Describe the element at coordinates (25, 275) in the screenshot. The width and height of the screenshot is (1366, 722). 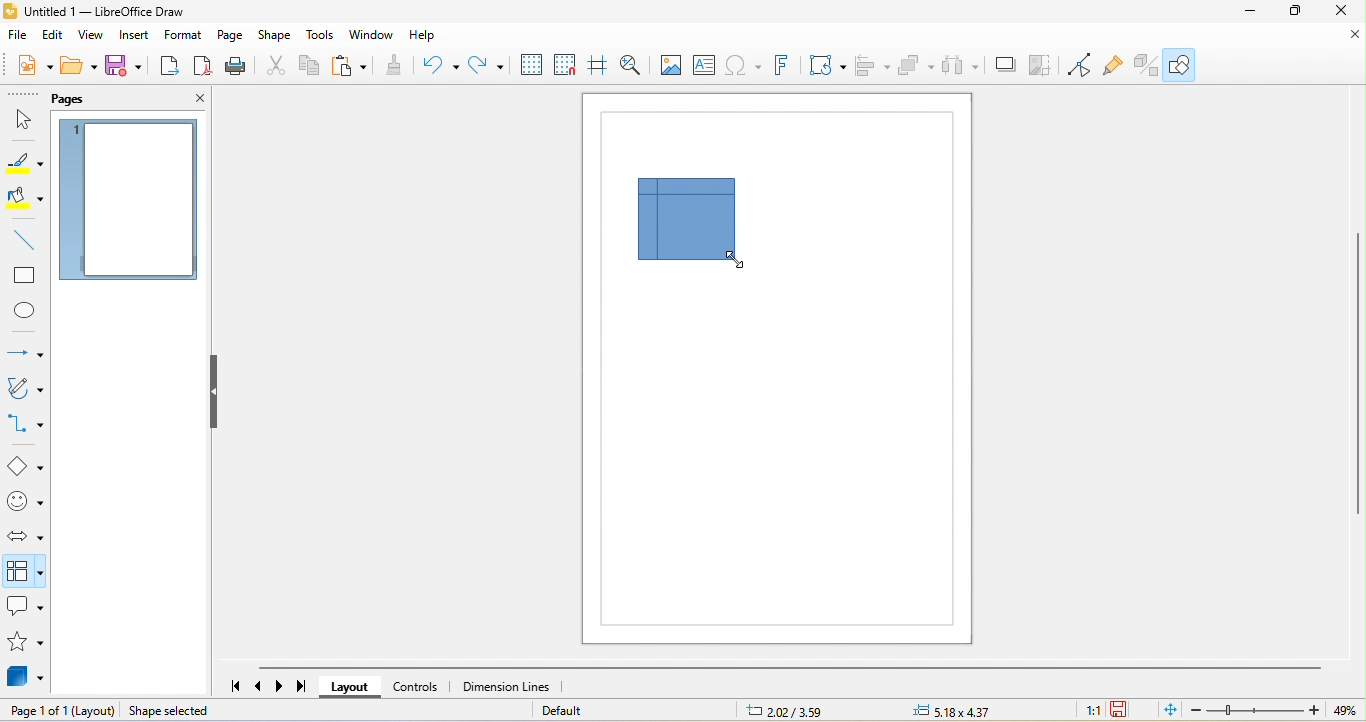
I see `rectangle` at that location.